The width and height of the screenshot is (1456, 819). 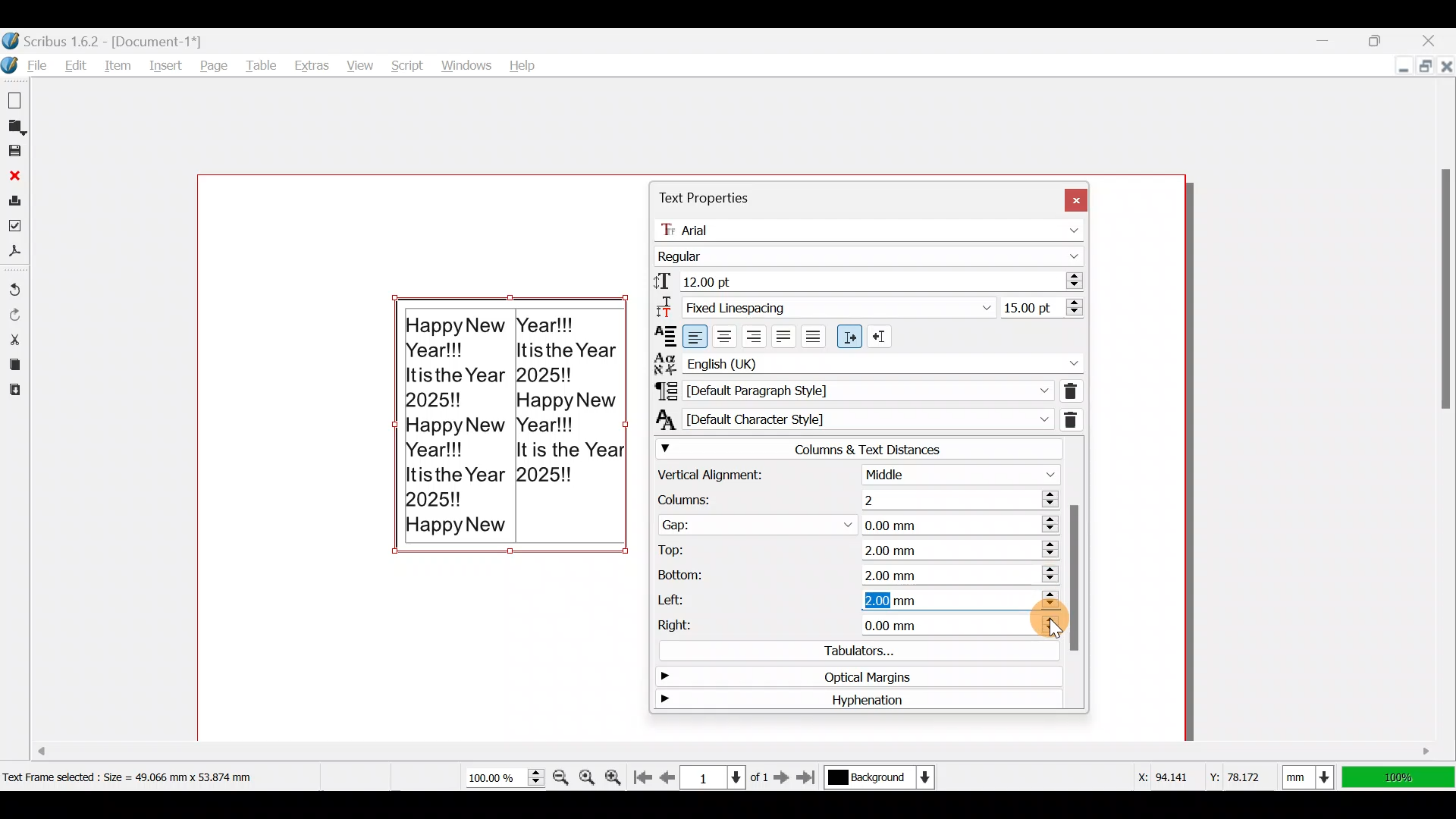 What do you see at coordinates (855, 475) in the screenshot?
I see `Vertical alignment` at bounding box center [855, 475].